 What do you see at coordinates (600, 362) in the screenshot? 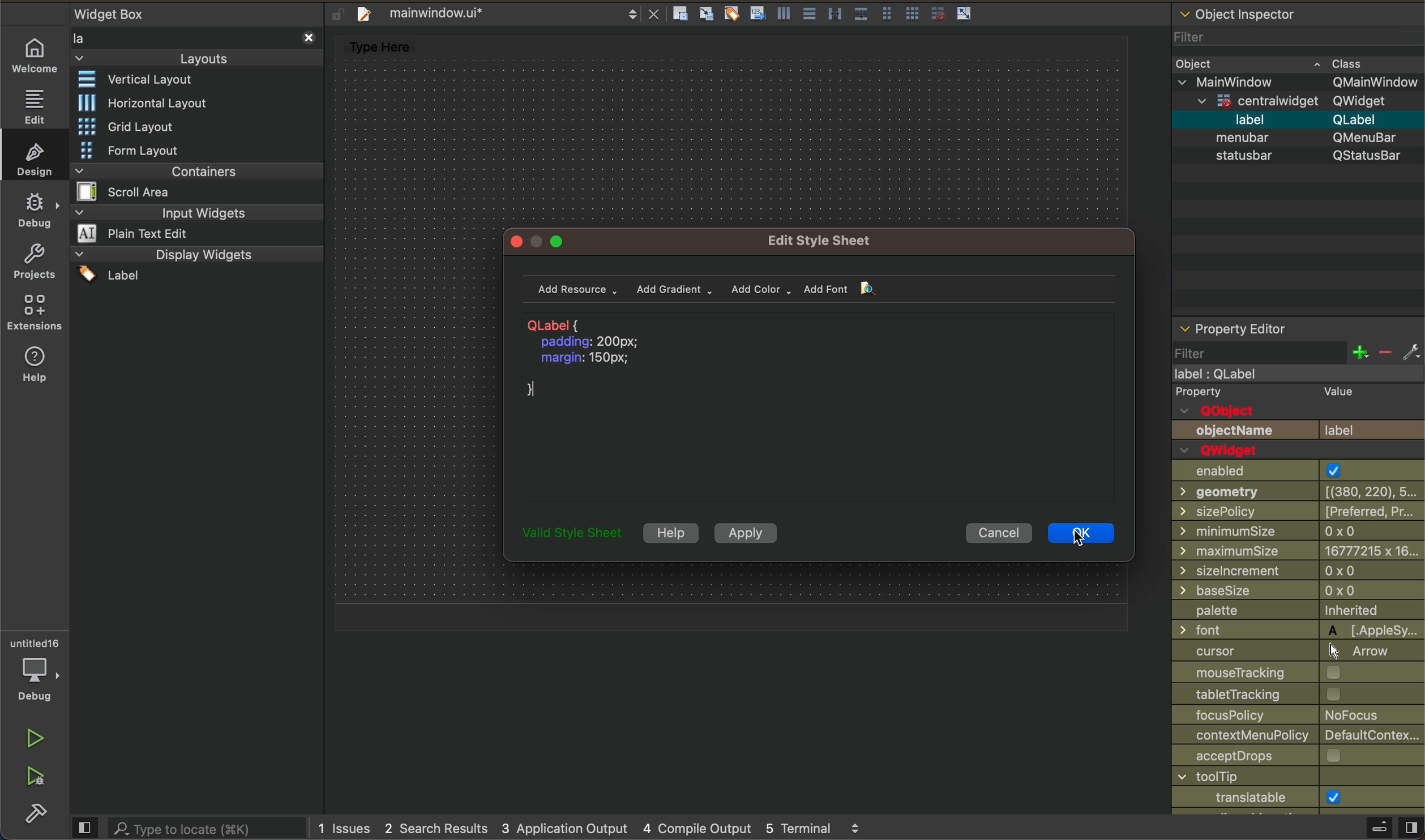
I see `styles code` at bounding box center [600, 362].